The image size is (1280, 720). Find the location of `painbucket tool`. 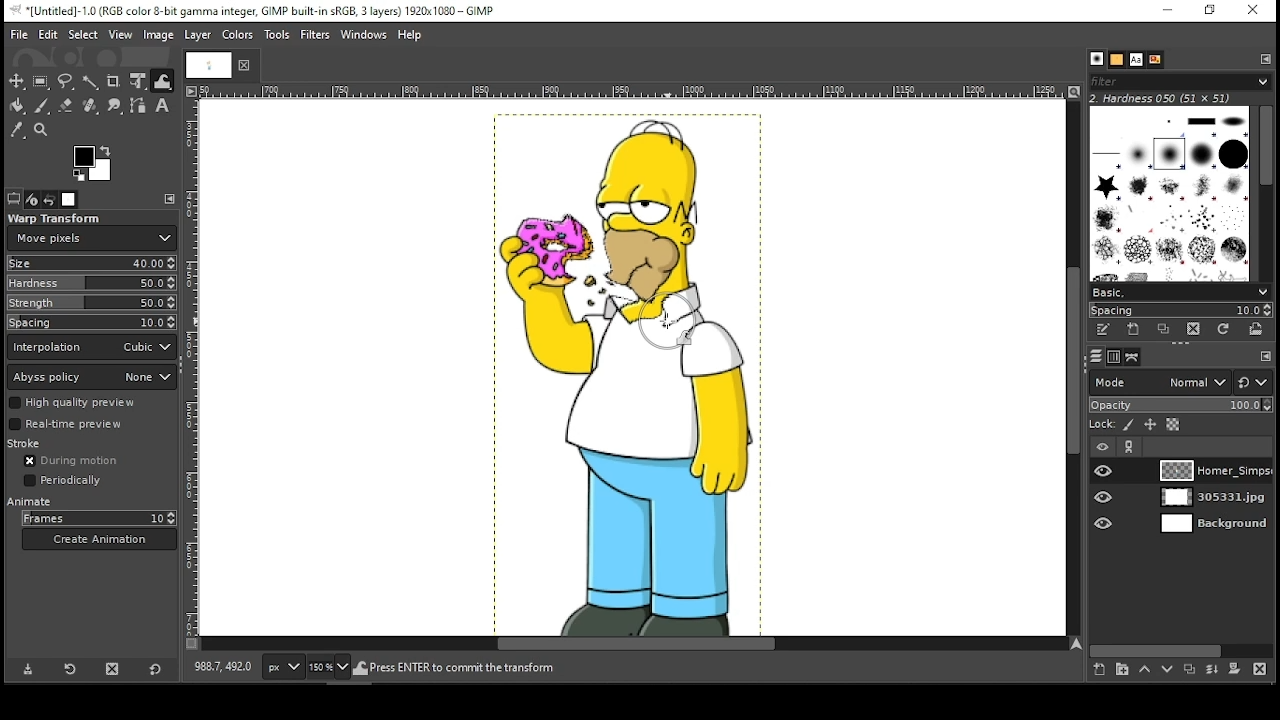

painbucket tool is located at coordinates (16, 106).